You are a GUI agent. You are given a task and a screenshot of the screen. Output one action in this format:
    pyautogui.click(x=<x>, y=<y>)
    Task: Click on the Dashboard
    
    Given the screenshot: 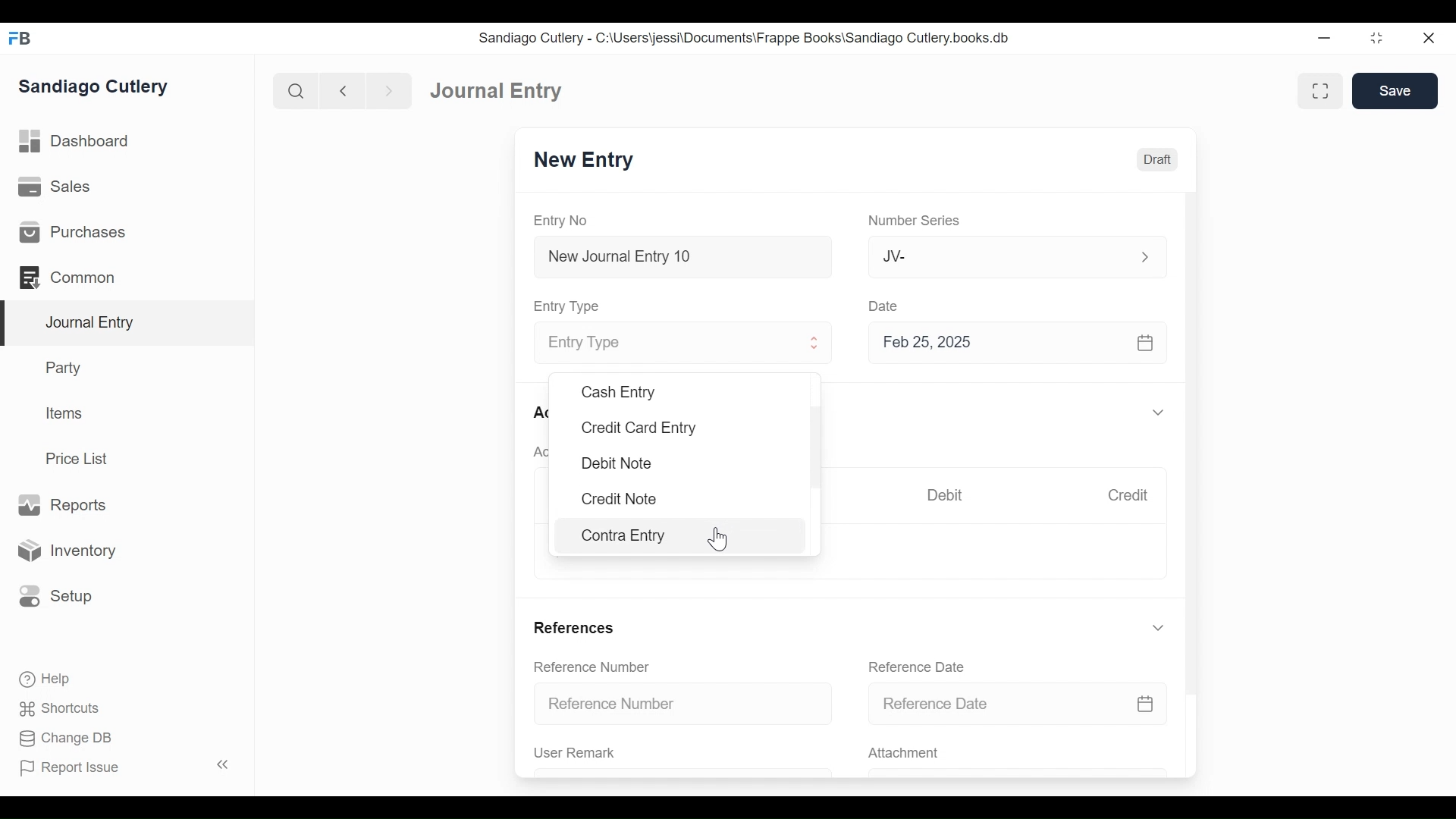 What is the action you would take?
    pyautogui.click(x=80, y=143)
    